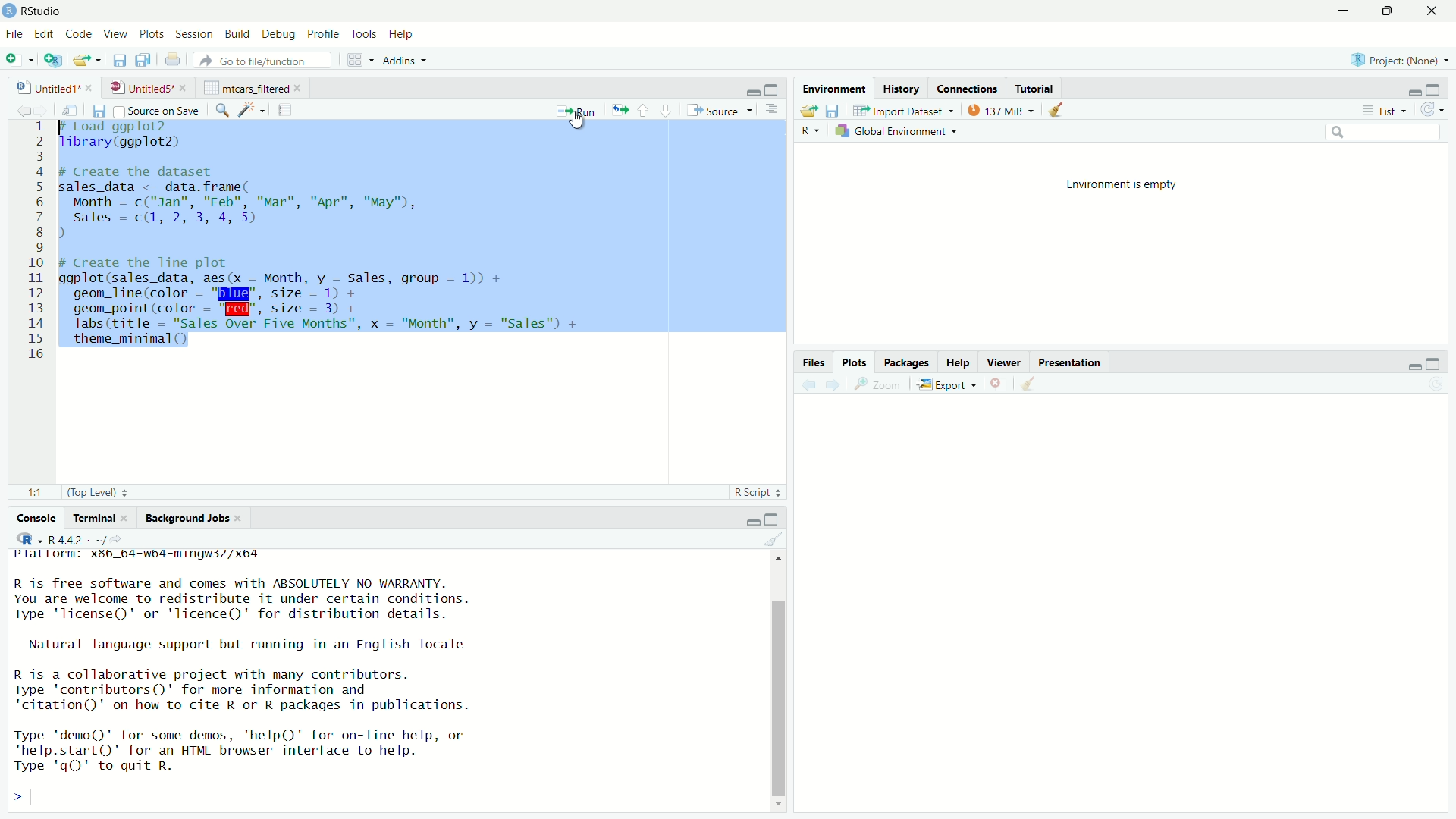  What do you see at coordinates (1004, 362) in the screenshot?
I see `viewer` at bounding box center [1004, 362].